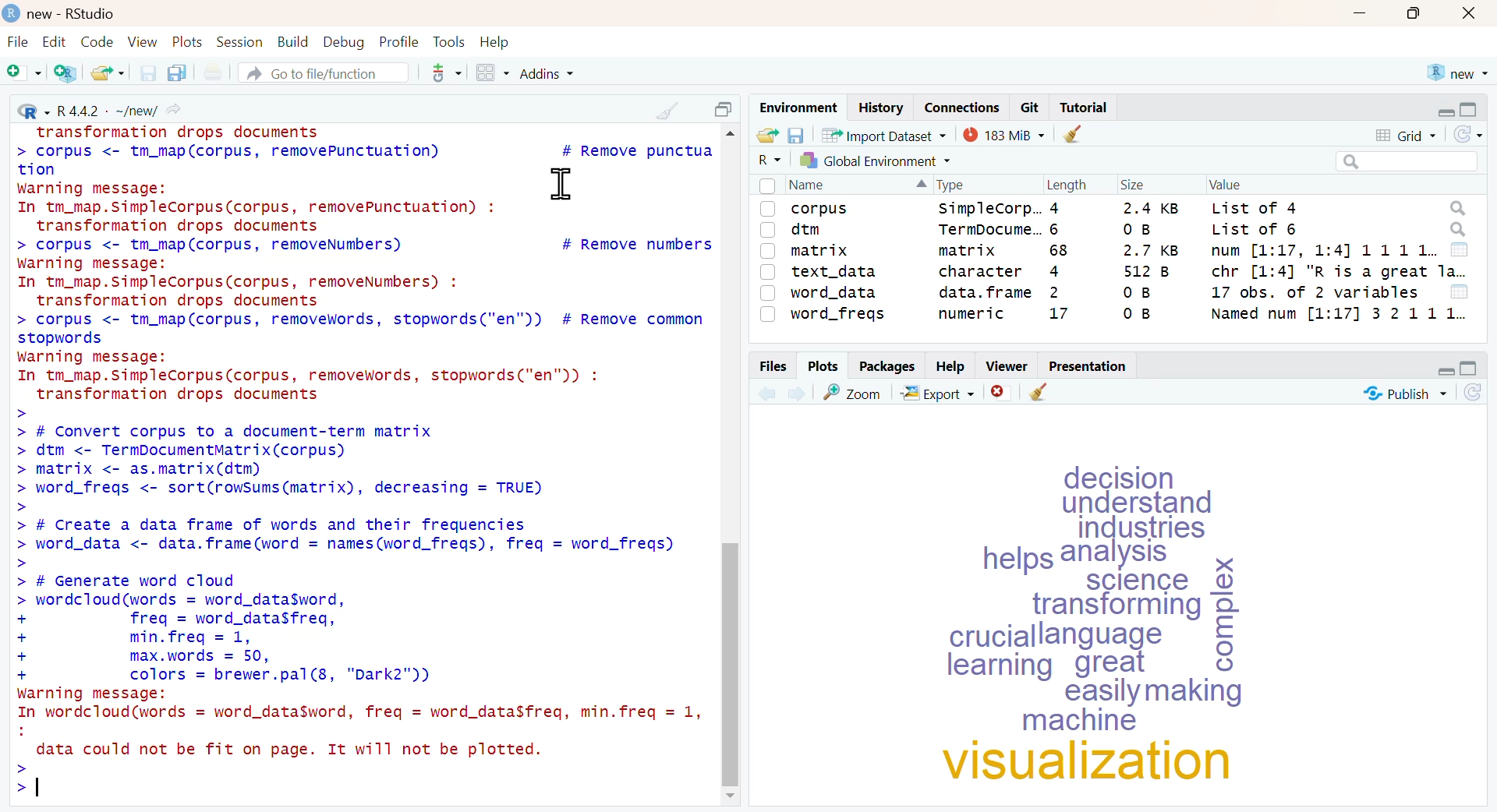  I want to click on Check box, so click(768, 250).